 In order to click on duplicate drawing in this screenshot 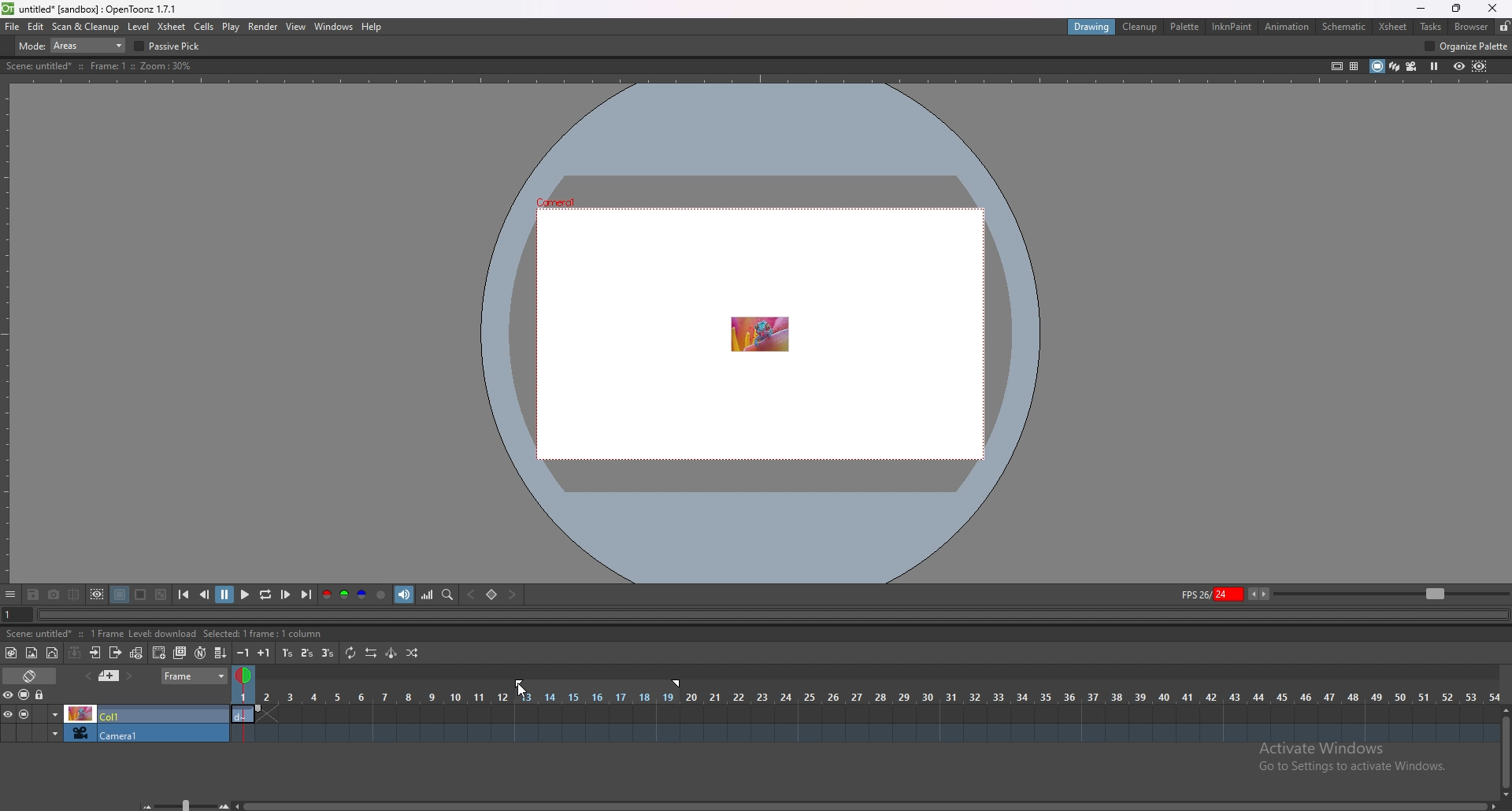, I will do `click(180, 653)`.